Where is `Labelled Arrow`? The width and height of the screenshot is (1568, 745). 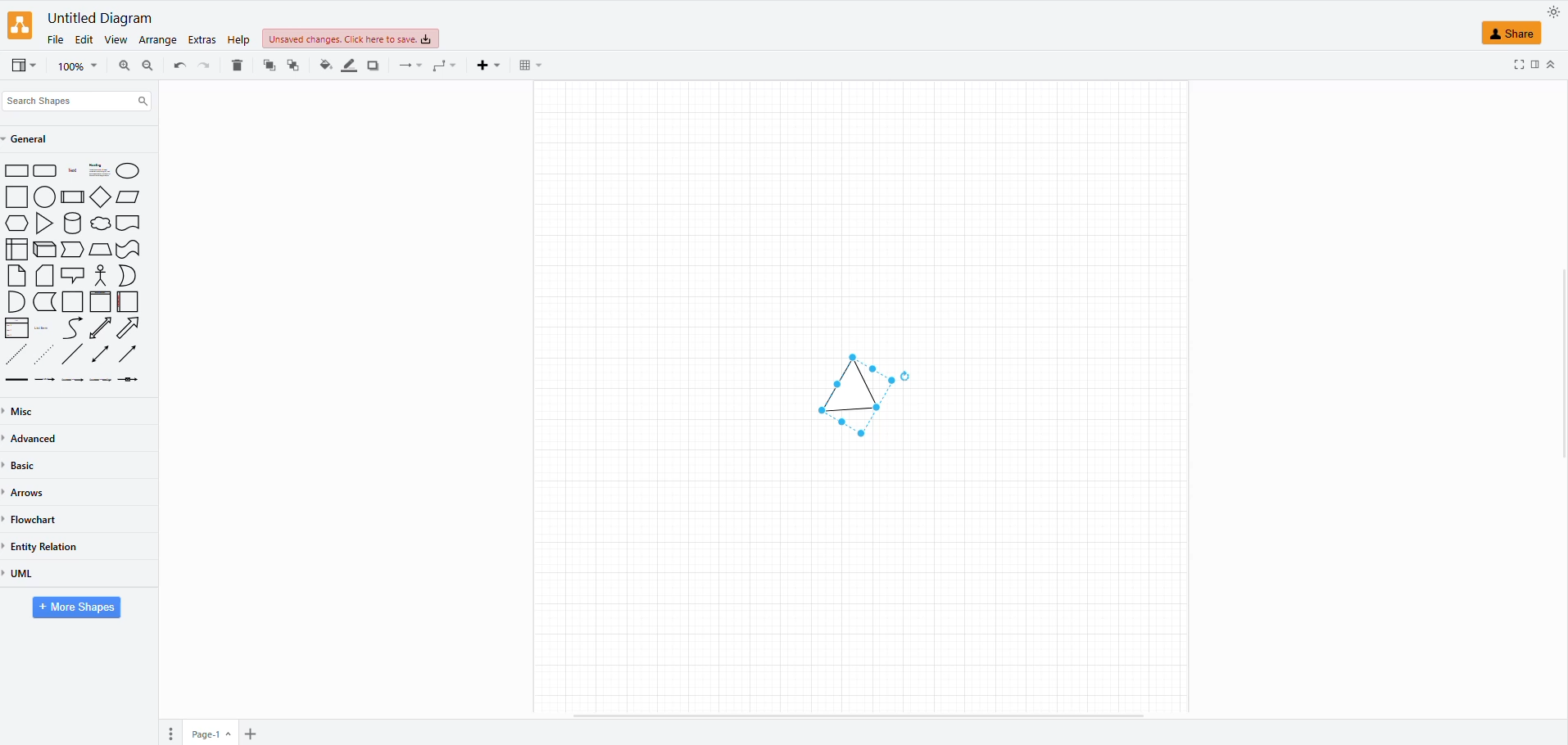
Labelled Arrow is located at coordinates (45, 381).